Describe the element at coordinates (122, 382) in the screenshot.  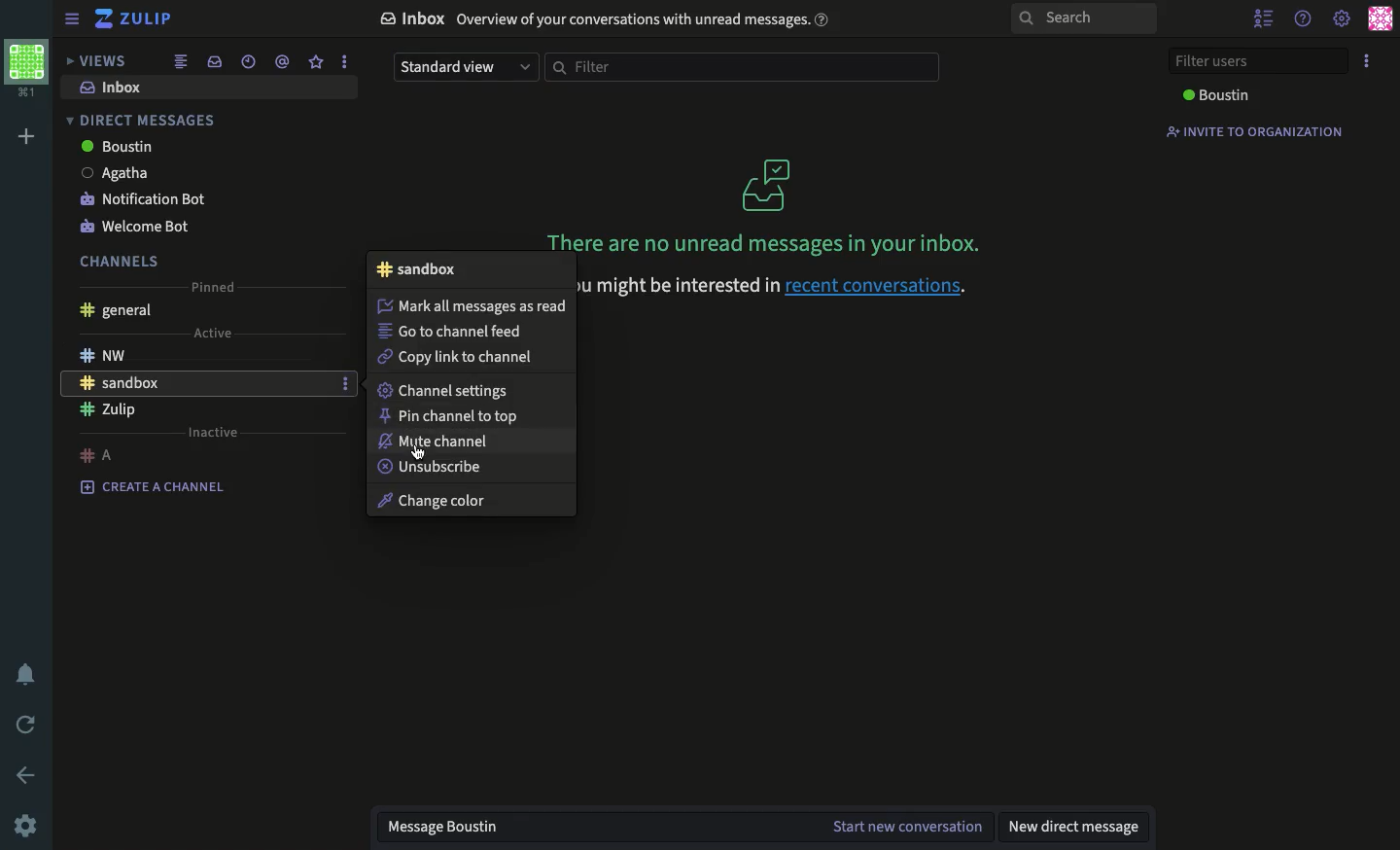
I see `sandbox` at that location.